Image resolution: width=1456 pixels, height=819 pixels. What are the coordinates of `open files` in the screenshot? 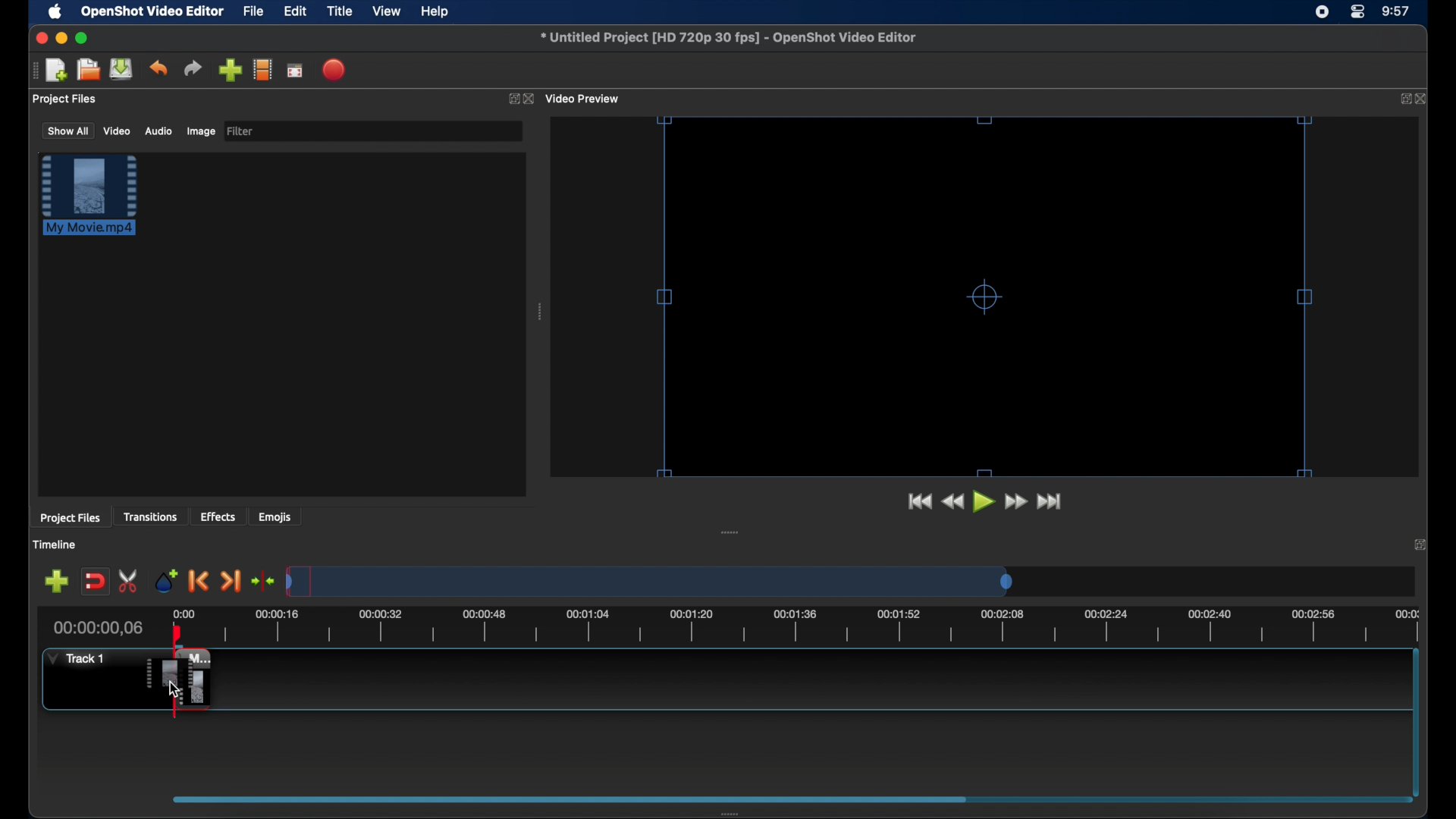 It's located at (89, 71).